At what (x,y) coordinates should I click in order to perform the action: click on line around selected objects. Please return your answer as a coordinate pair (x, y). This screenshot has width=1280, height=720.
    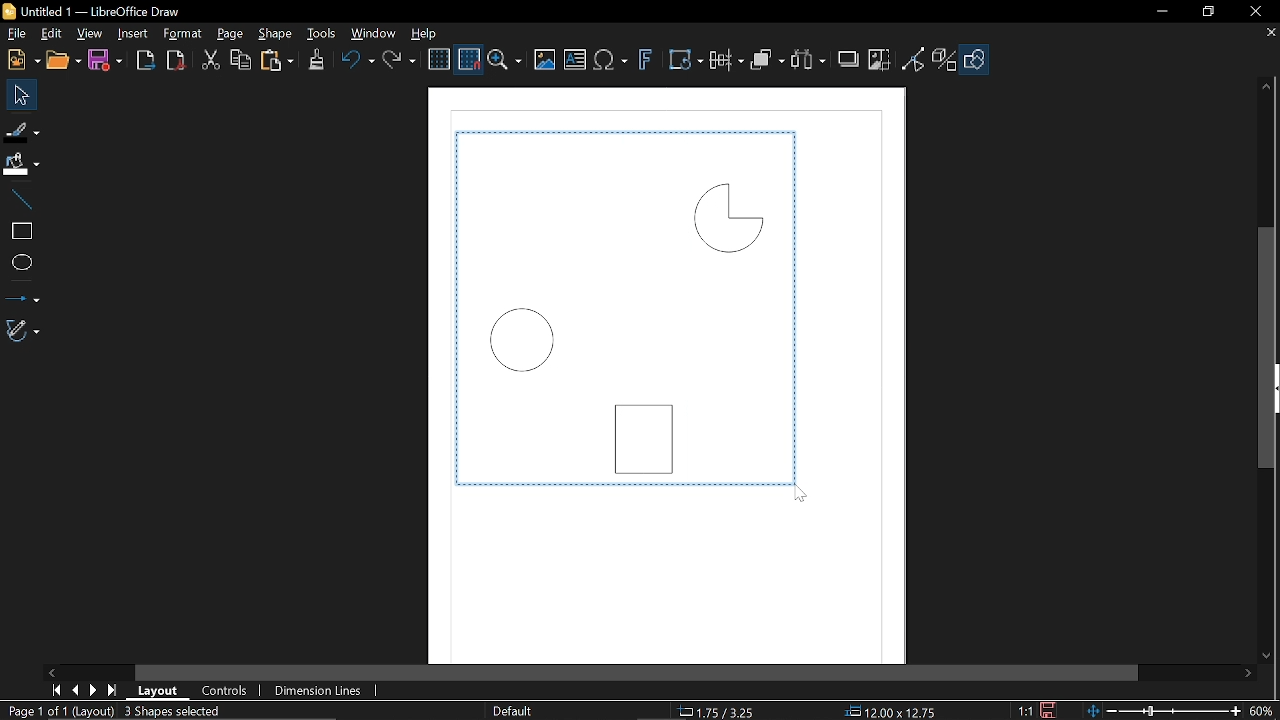
    Looking at the image, I should click on (628, 483).